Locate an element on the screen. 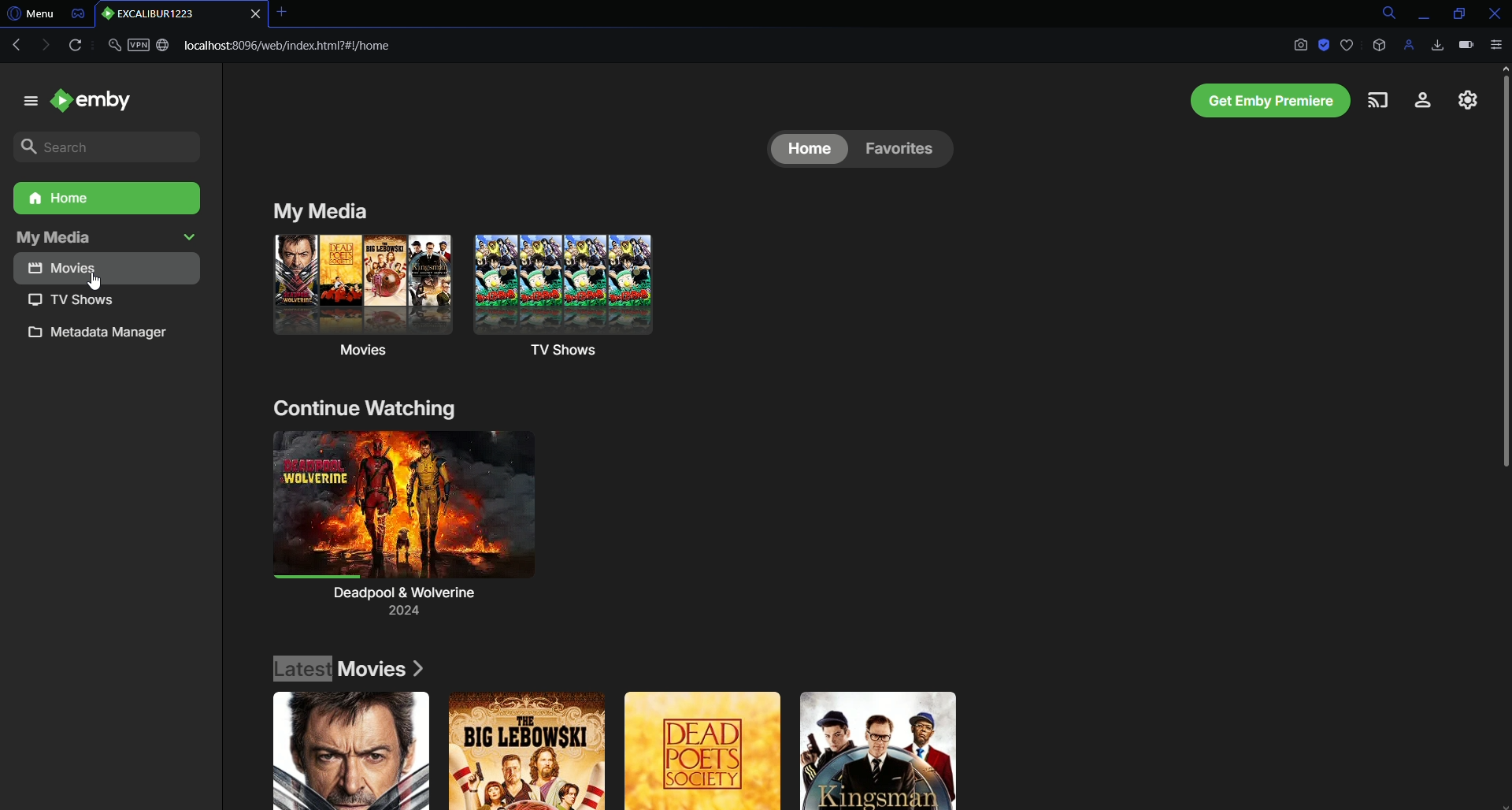 Image resolution: width=1512 pixels, height=810 pixels. cursor is located at coordinates (94, 281).